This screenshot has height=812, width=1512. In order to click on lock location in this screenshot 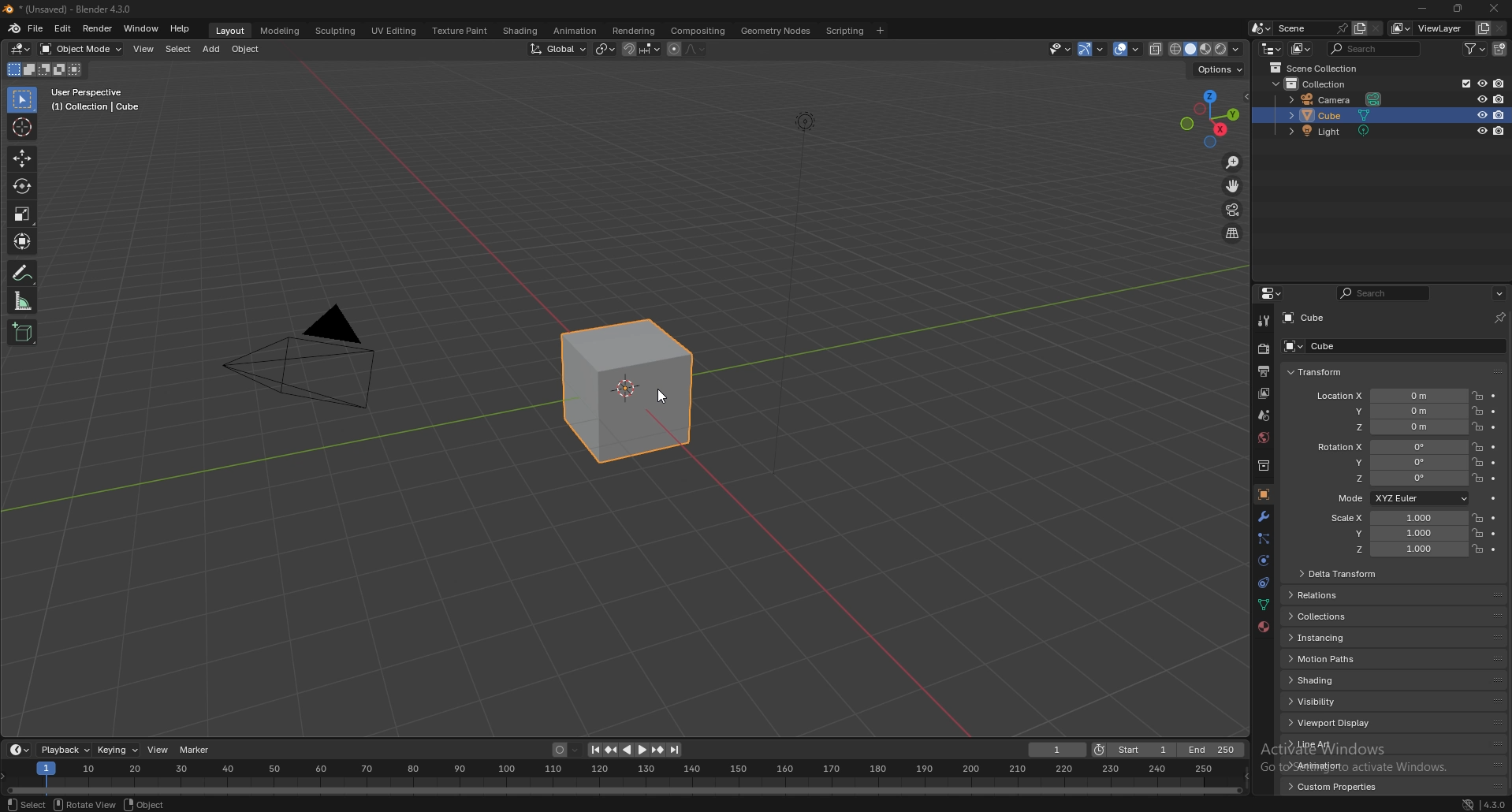, I will do `click(1478, 518)`.